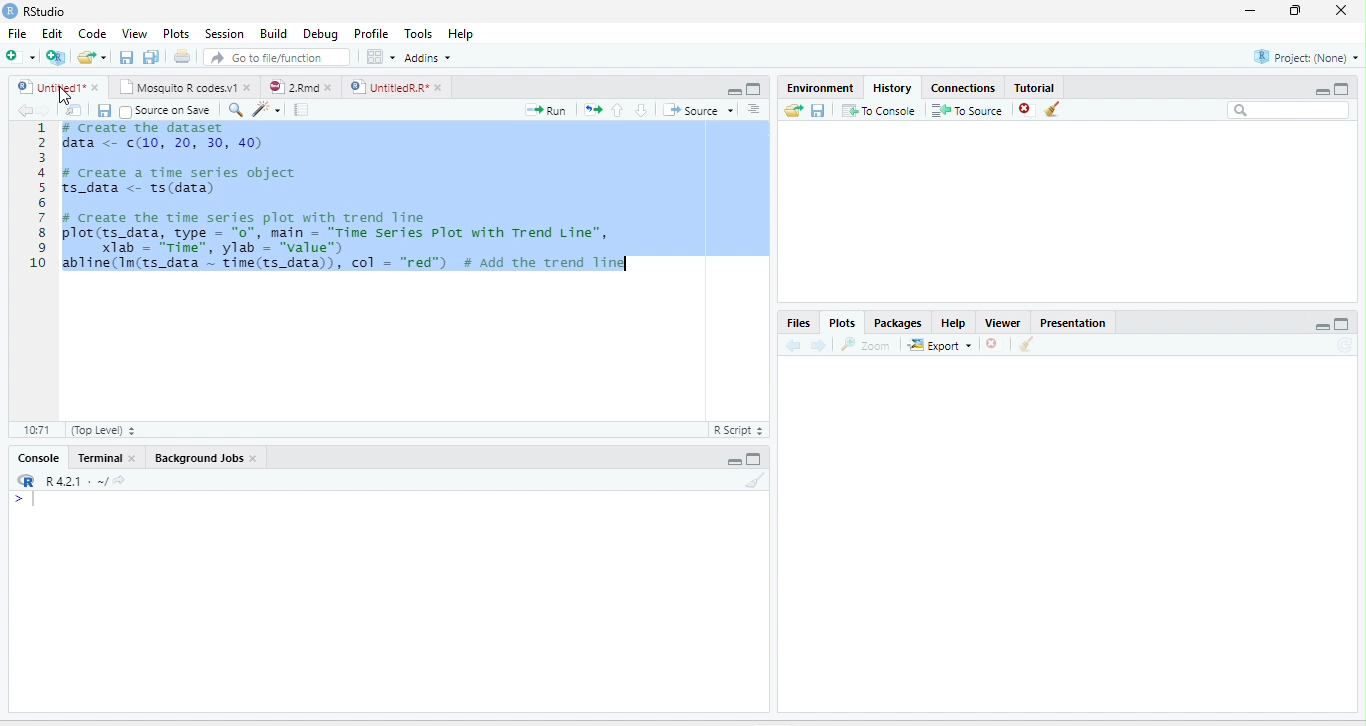  Describe the element at coordinates (1346, 345) in the screenshot. I see `Refresh current plot` at that location.